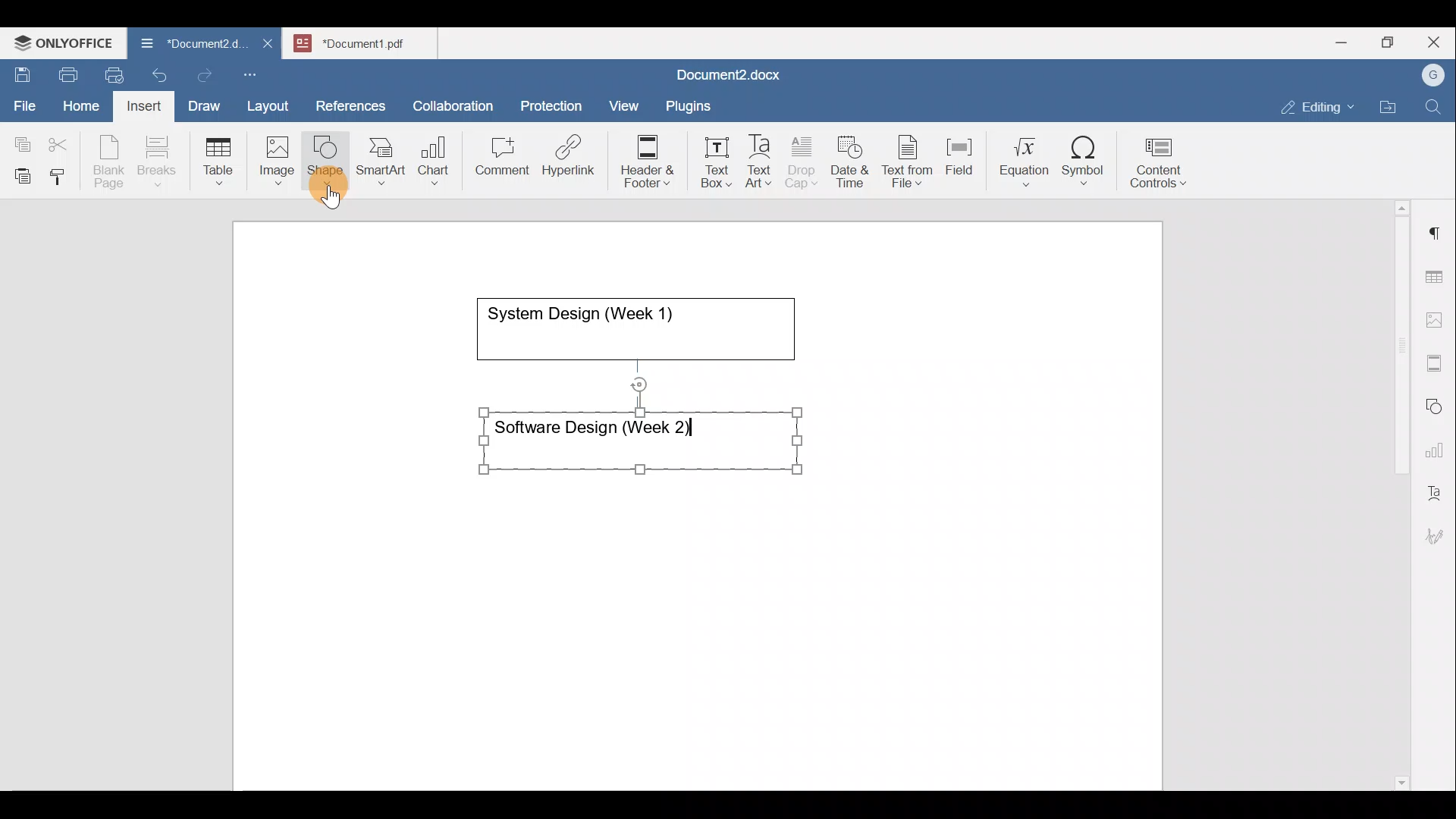  Describe the element at coordinates (1084, 165) in the screenshot. I see `Symbol` at that location.